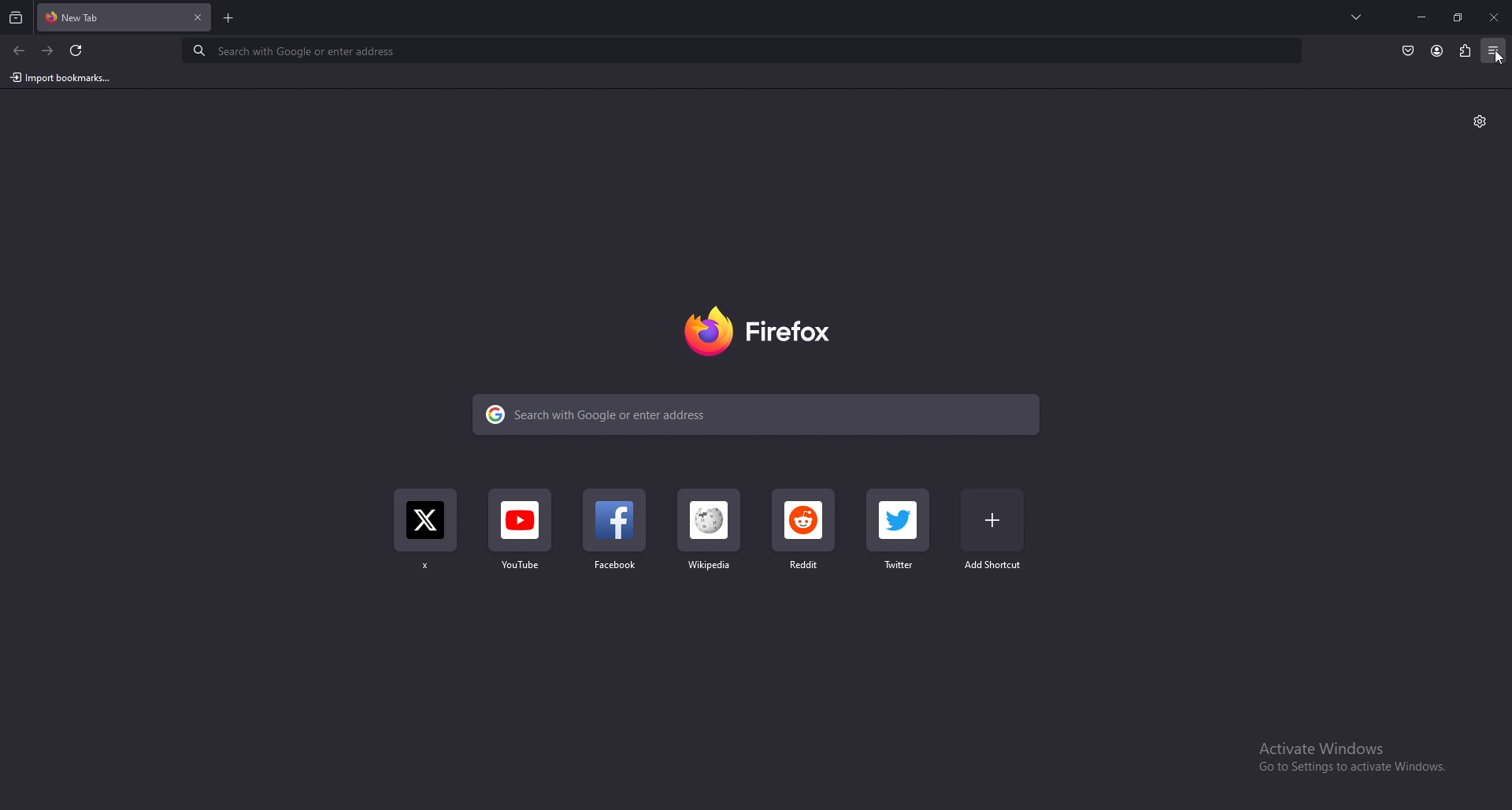  What do you see at coordinates (756, 414) in the screenshot?
I see `search bar` at bounding box center [756, 414].